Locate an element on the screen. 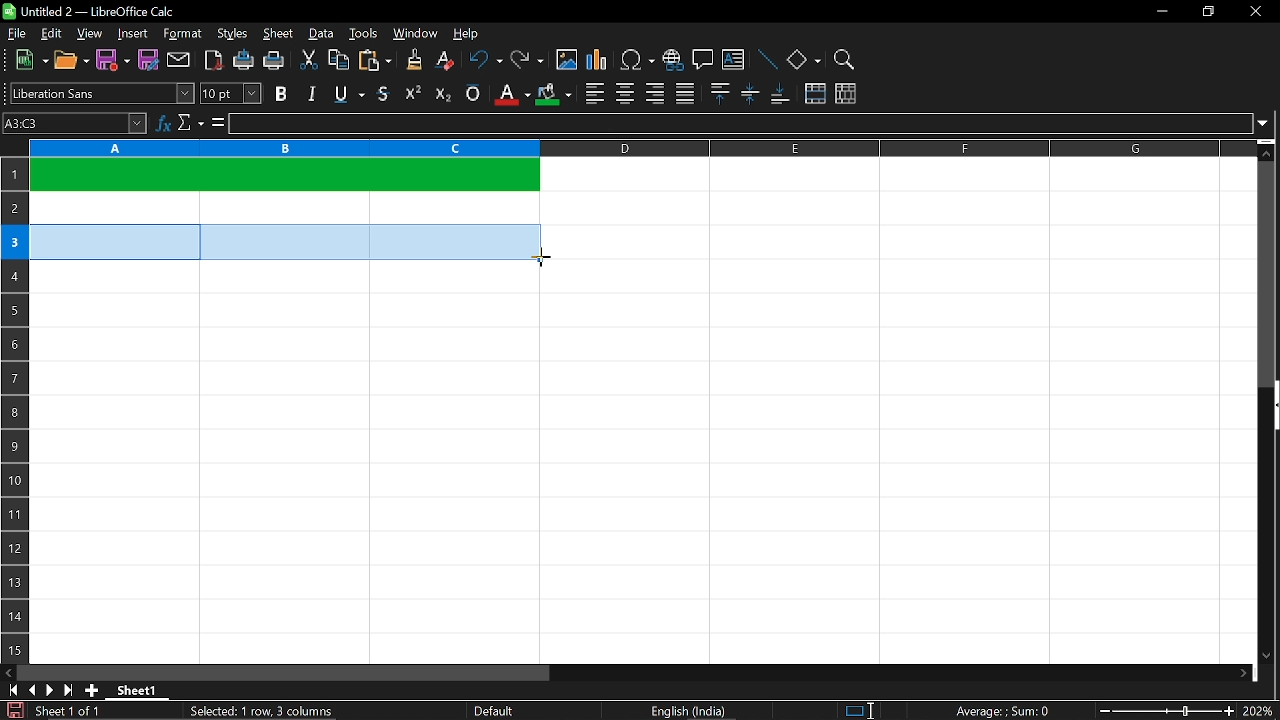 The image size is (1280, 720). export as pdf is located at coordinates (210, 60).